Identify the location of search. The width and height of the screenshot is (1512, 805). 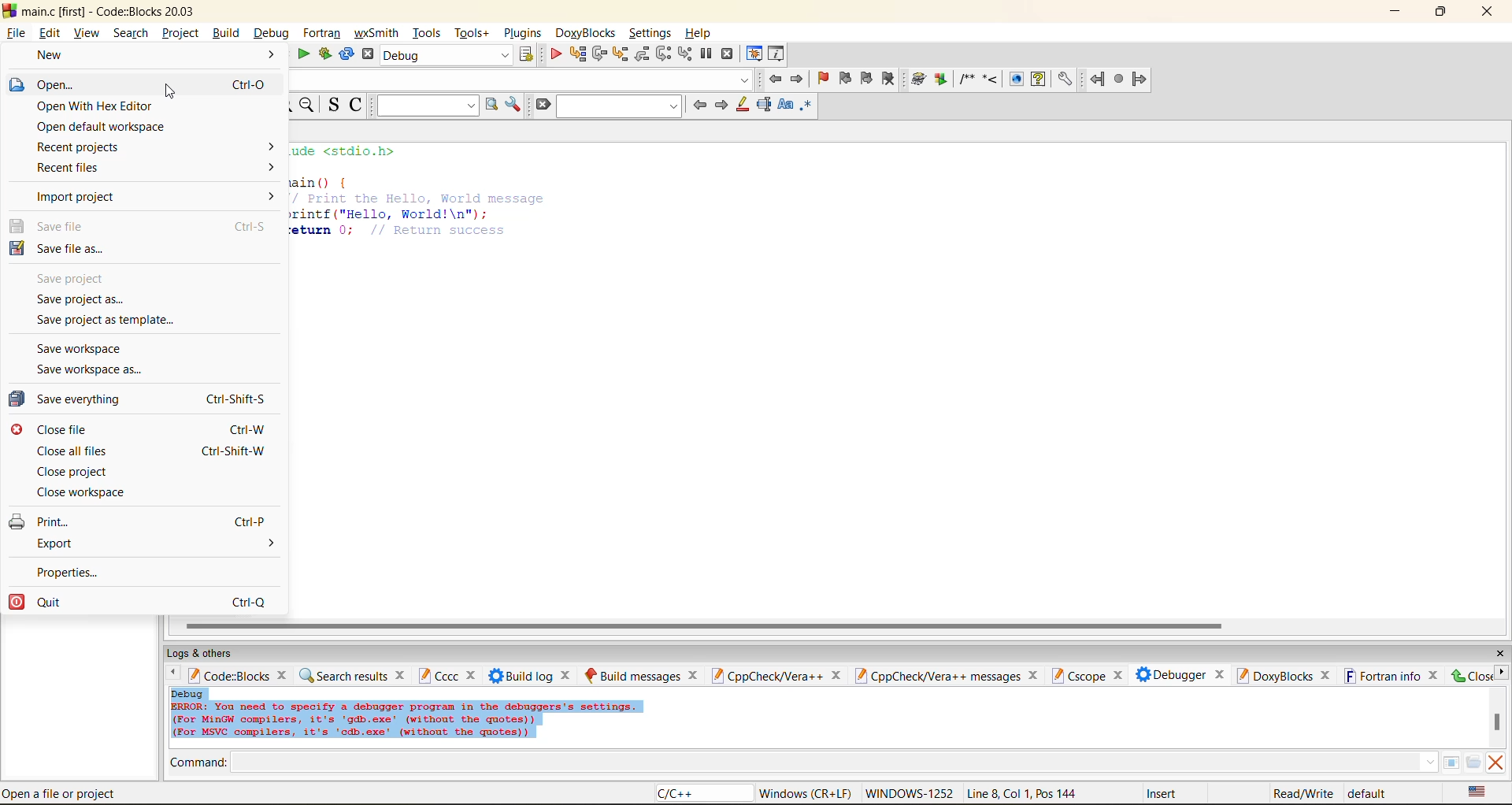
(131, 32).